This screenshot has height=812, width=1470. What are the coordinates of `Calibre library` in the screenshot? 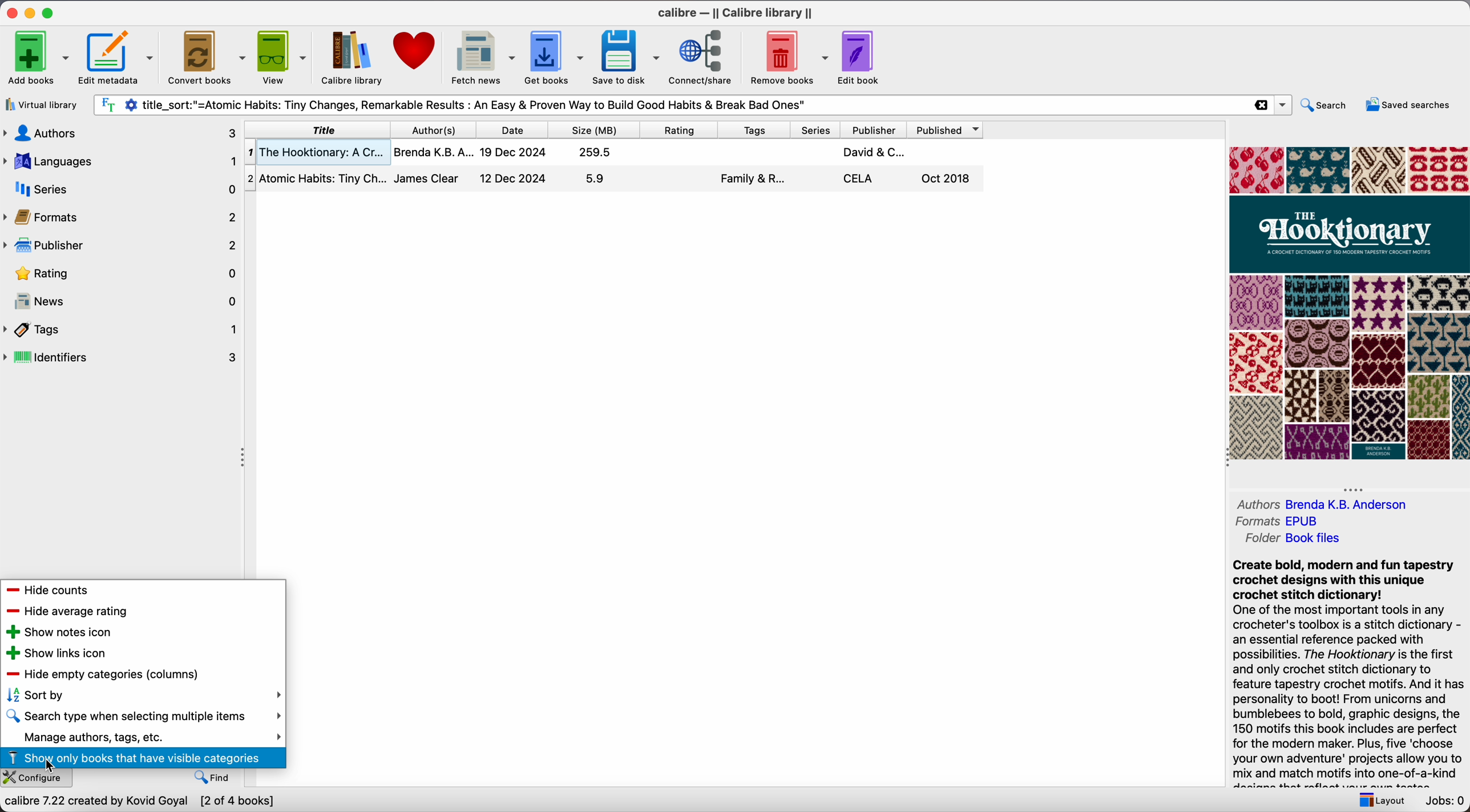 It's located at (352, 58).